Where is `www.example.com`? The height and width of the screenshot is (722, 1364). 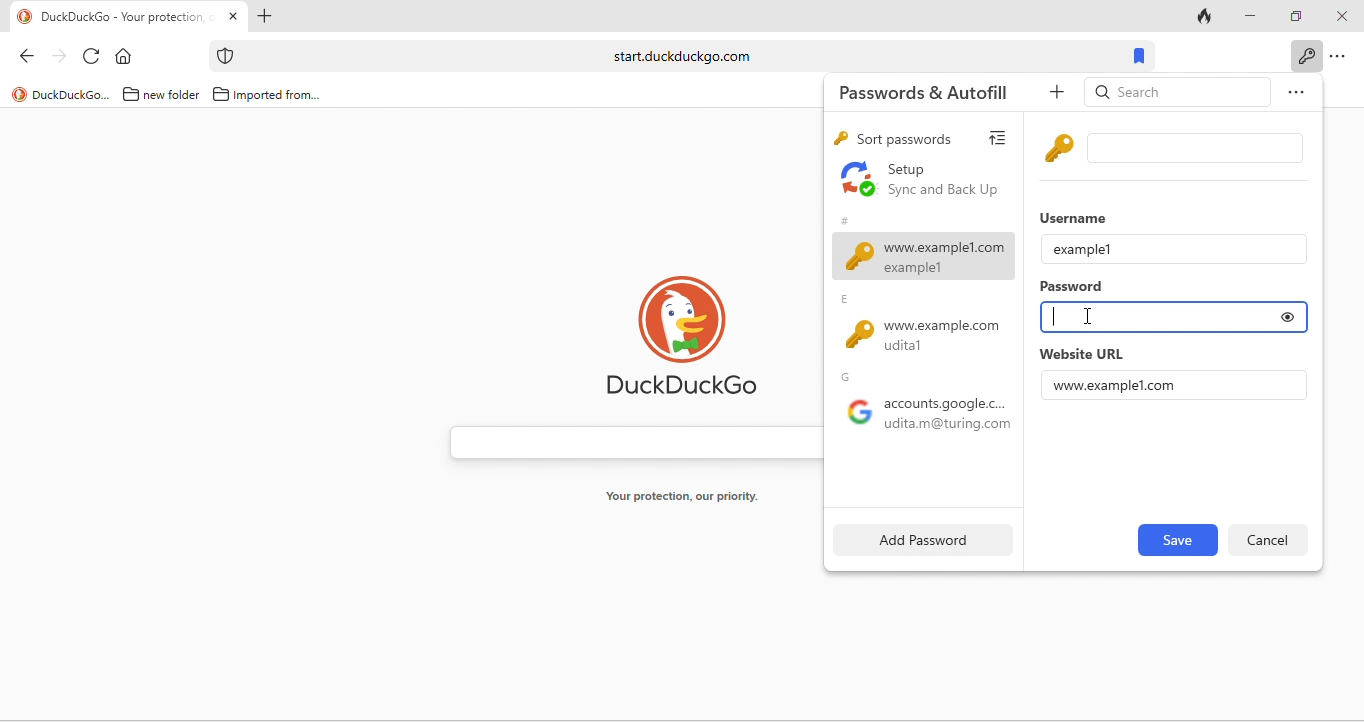 www.example.com is located at coordinates (930, 337).